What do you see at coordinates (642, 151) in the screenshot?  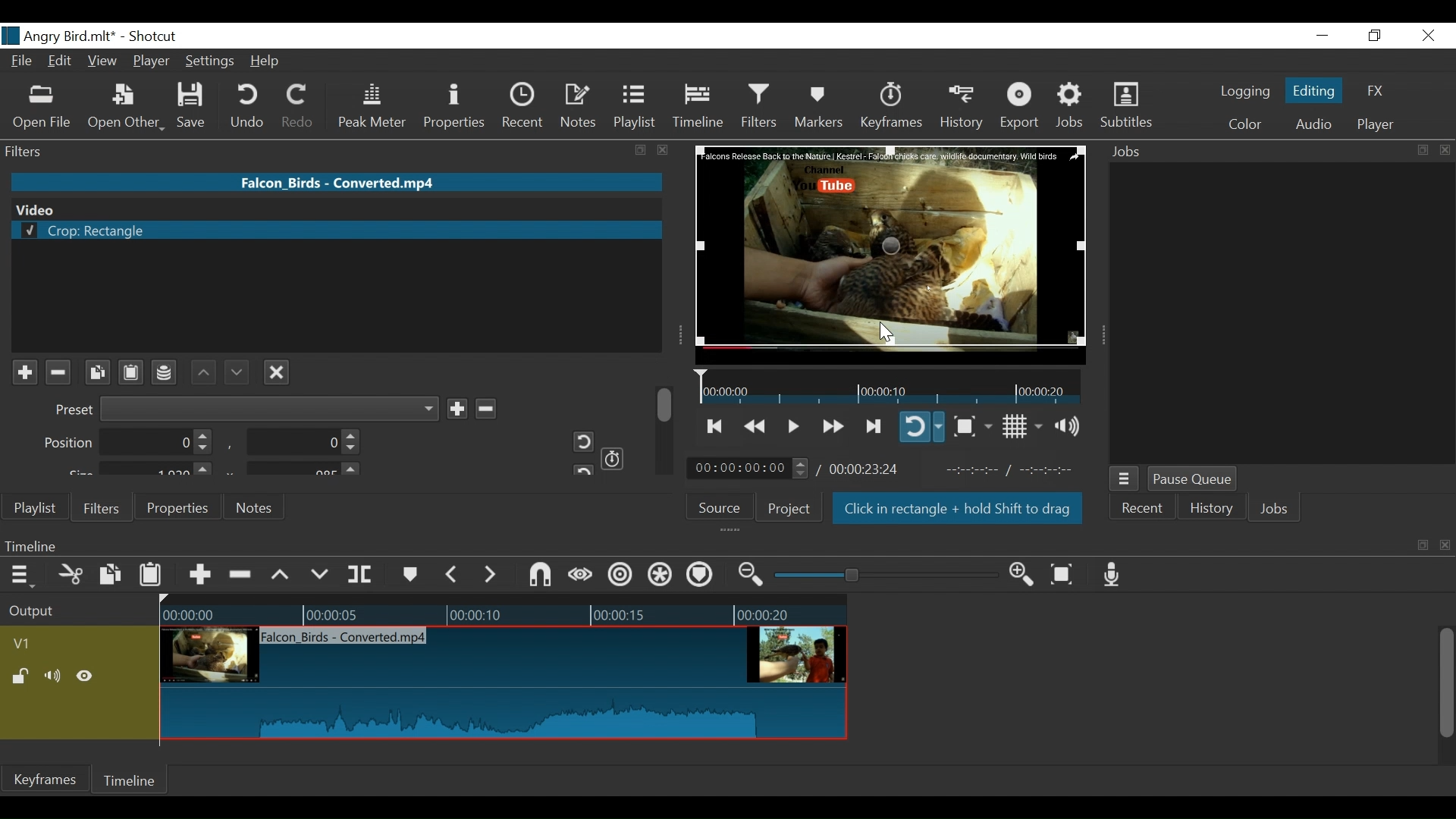 I see `copy` at bounding box center [642, 151].